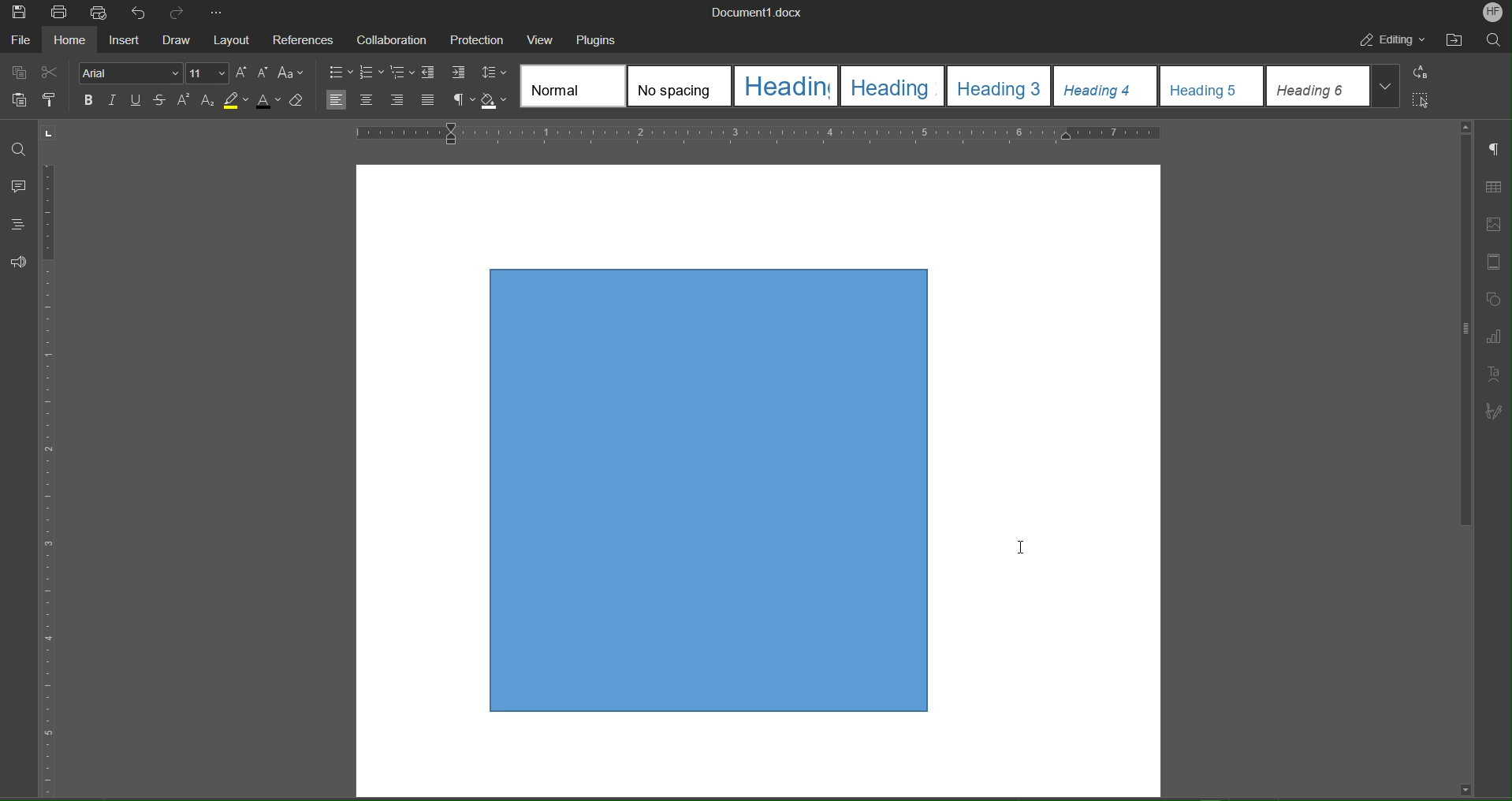 This screenshot has width=1512, height=801. Describe the element at coordinates (393, 39) in the screenshot. I see `Collaboration` at that location.